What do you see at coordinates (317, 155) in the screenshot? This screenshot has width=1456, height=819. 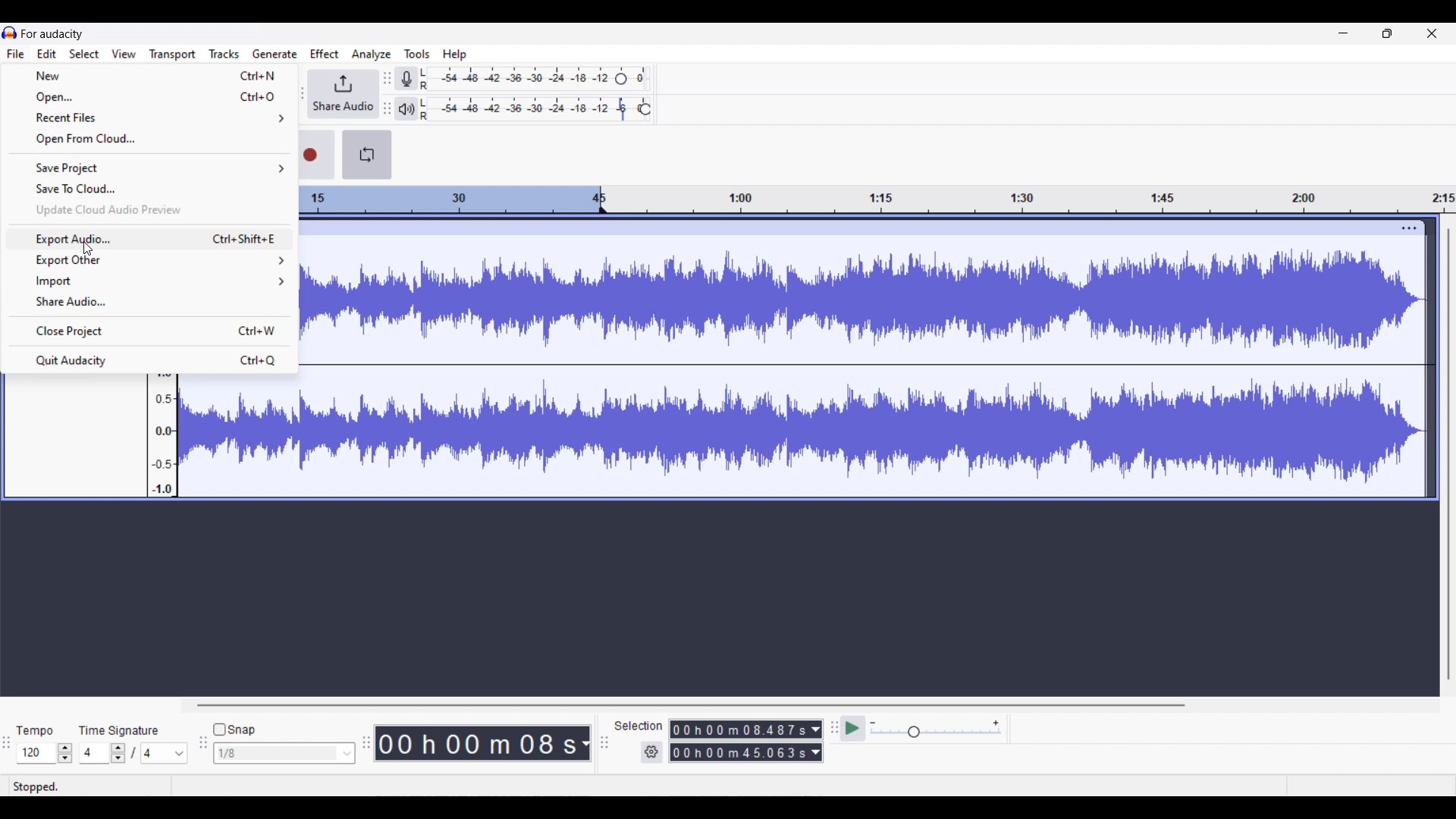 I see `Record/Record new track` at bounding box center [317, 155].